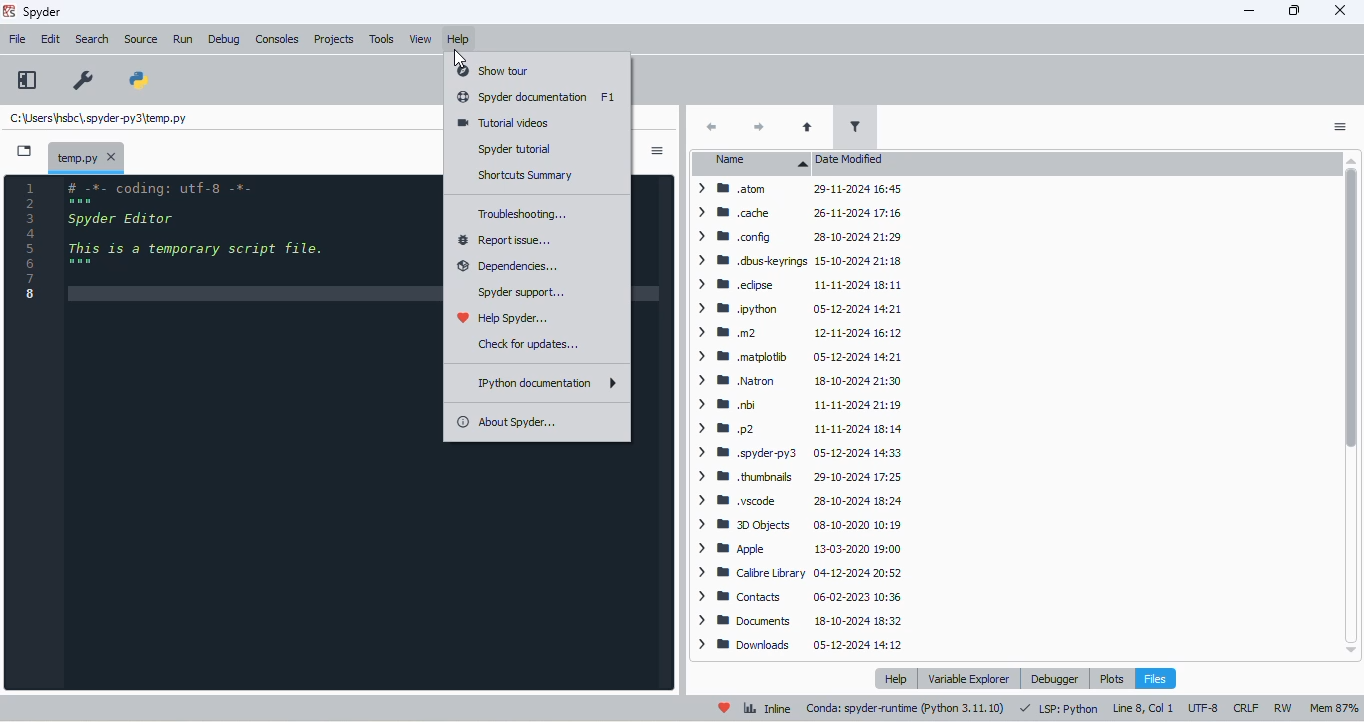 The height and width of the screenshot is (722, 1364). Describe the element at coordinates (252, 433) in the screenshot. I see `editor` at that location.